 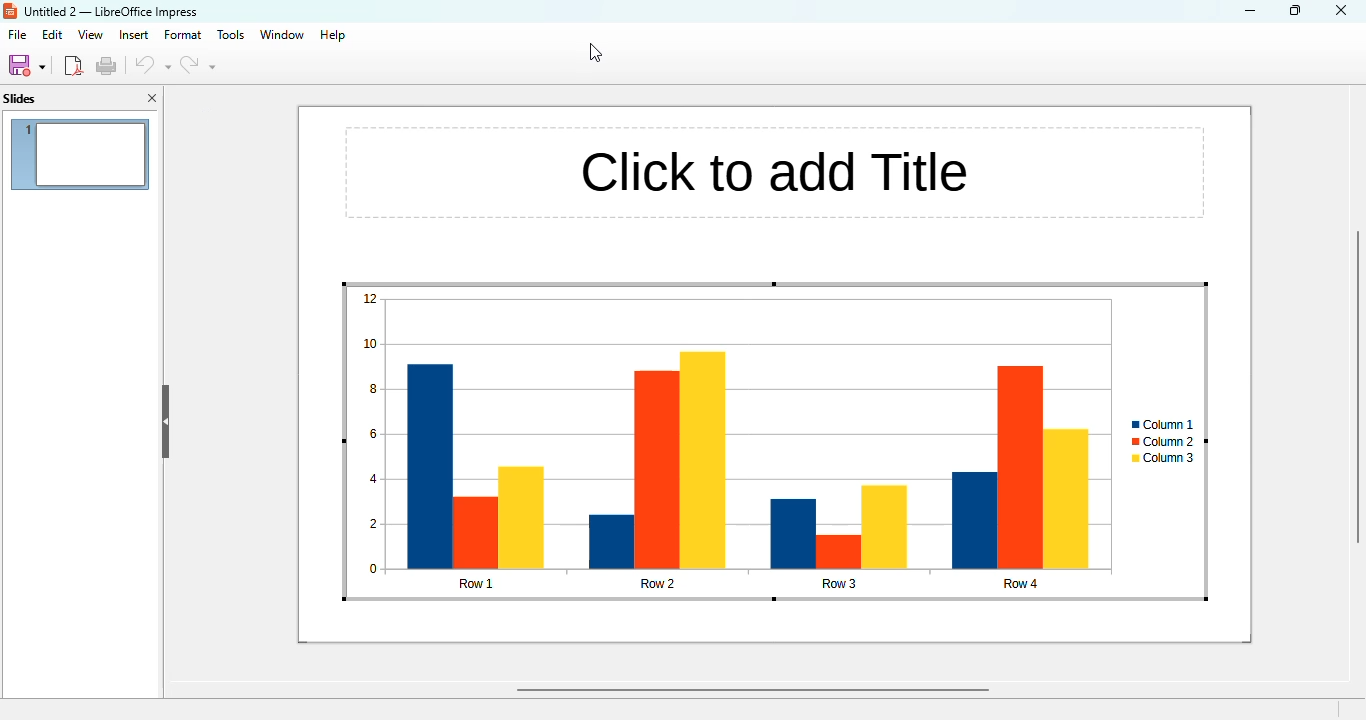 I want to click on undo, so click(x=153, y=65).